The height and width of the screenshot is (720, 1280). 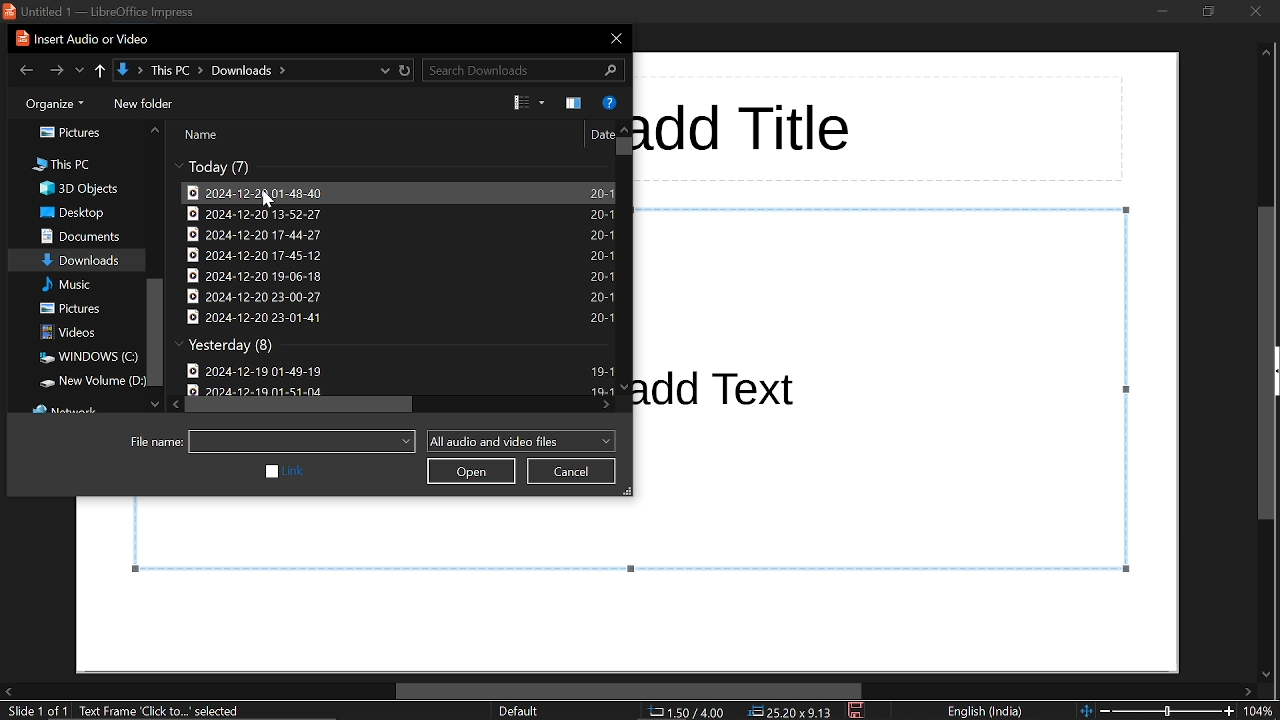 I want to click on file titled "2024-12-20 01-43-40", so click(x=396, y=191).